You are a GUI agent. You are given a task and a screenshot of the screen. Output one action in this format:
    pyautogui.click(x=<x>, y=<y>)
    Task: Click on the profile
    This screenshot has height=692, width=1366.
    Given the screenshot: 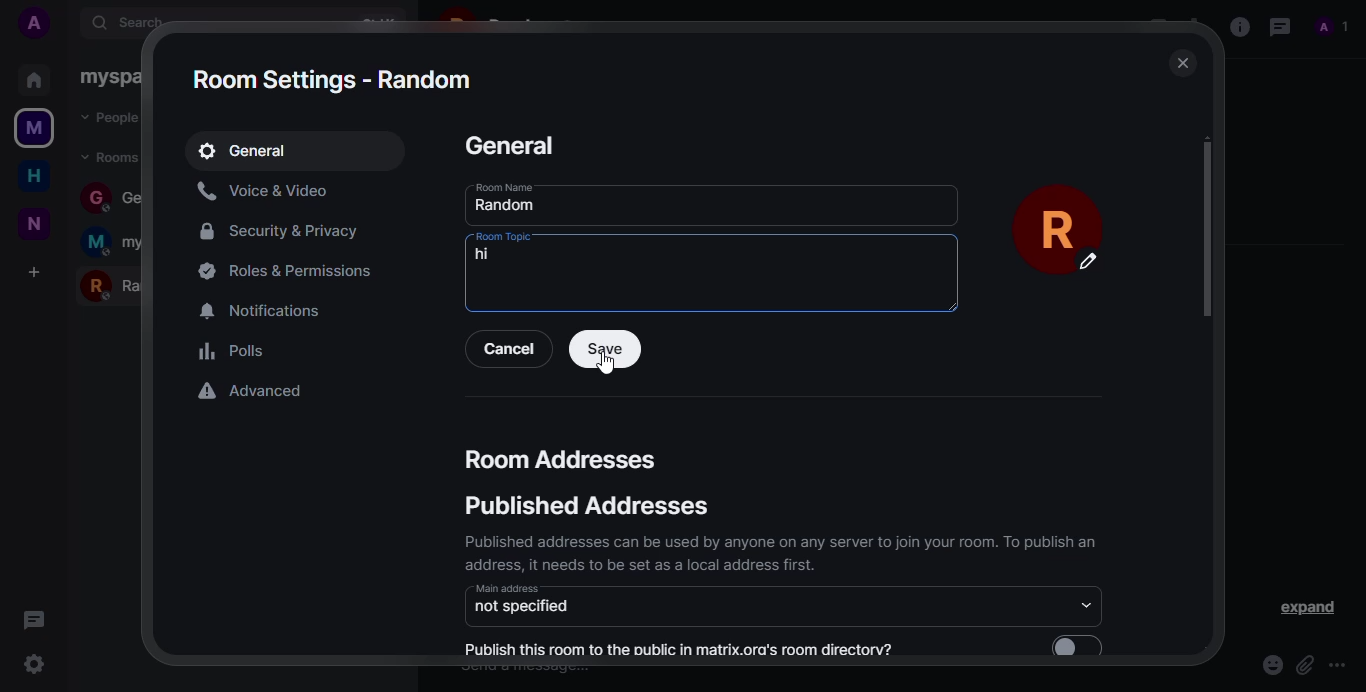 What is the action you would take?
    pyautogui.click(x=1332, y=29)
    